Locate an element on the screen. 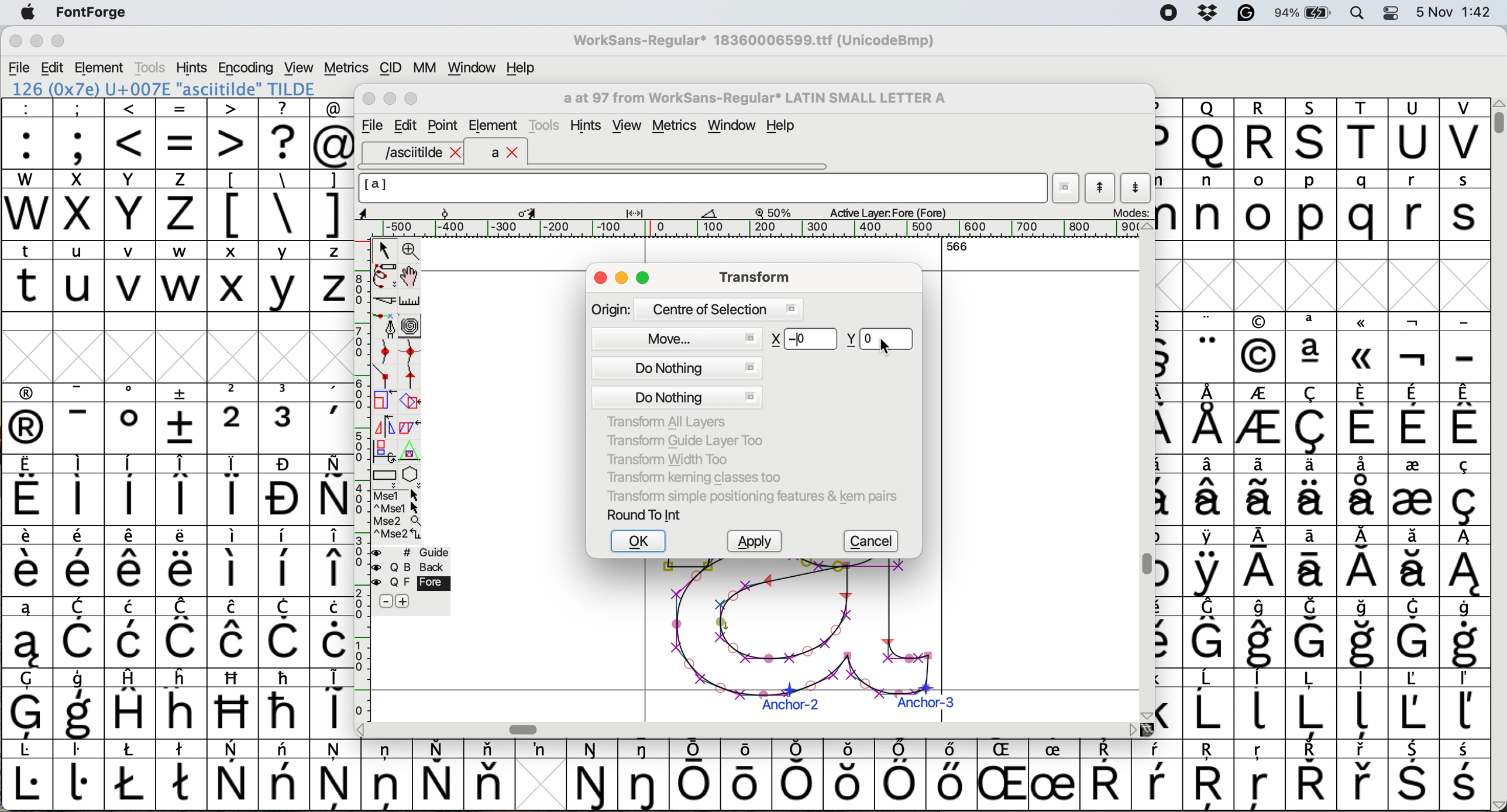 This screenshot has width=1507, height=812. symbol is located at coordinates (1312, 347).